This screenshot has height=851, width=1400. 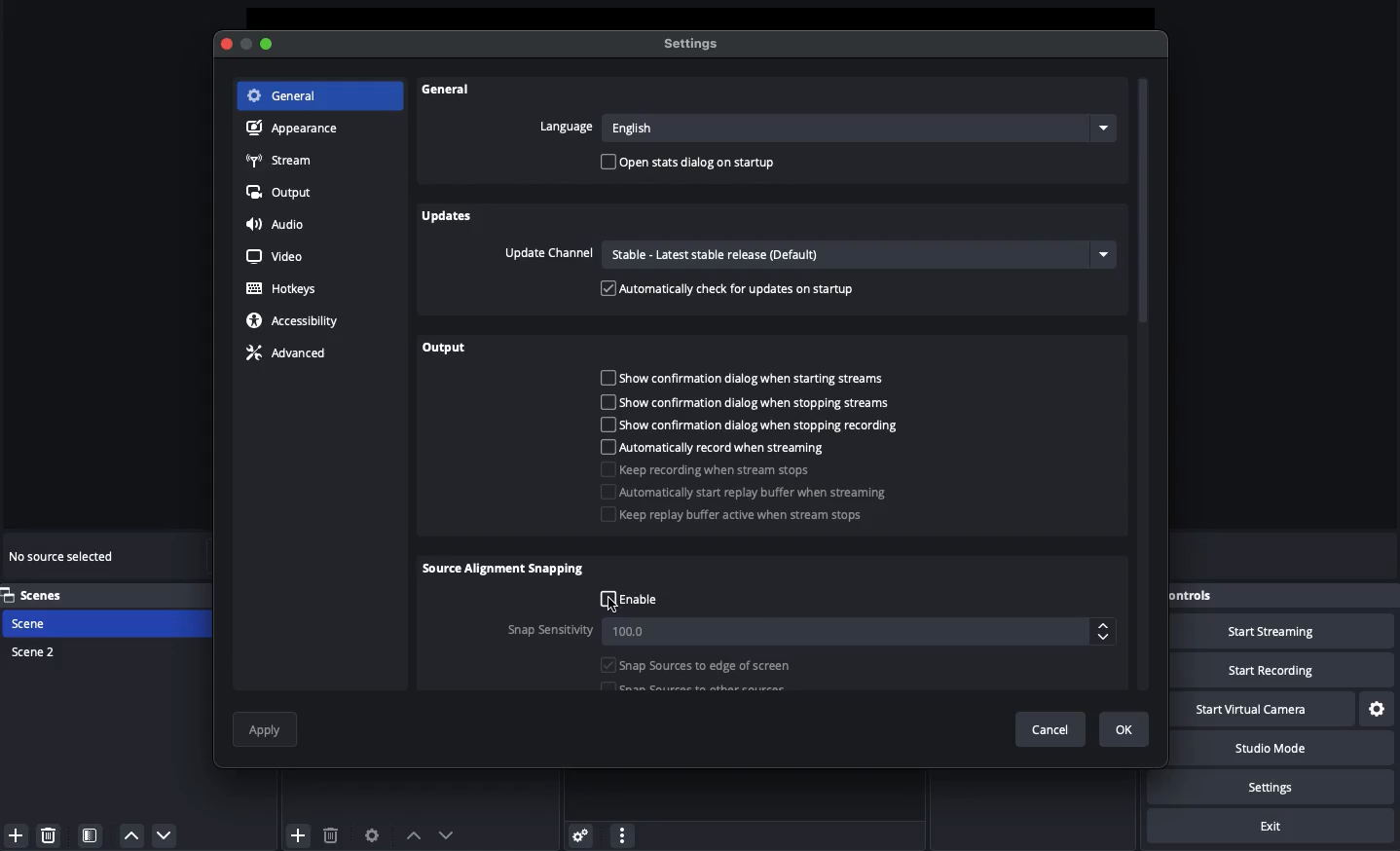 What do you see at coordinates (751, 401) in the screenshot?
I see `Show confirmation dialog ` at bounding box center [751, 401].